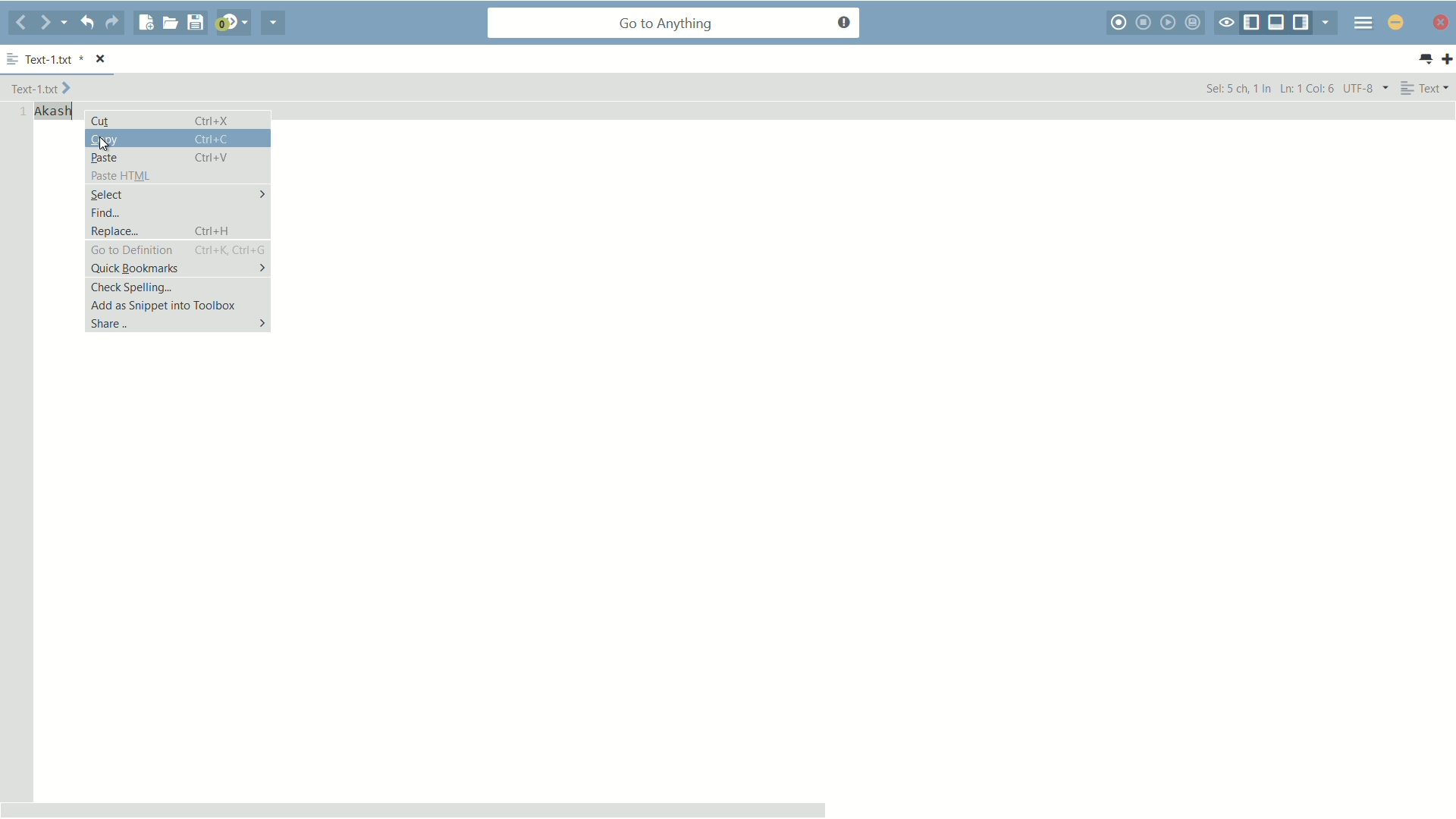  Describe the element at coordinates (231, 23) in the screenshot. I see `jump to next syntax checking result` at that location.